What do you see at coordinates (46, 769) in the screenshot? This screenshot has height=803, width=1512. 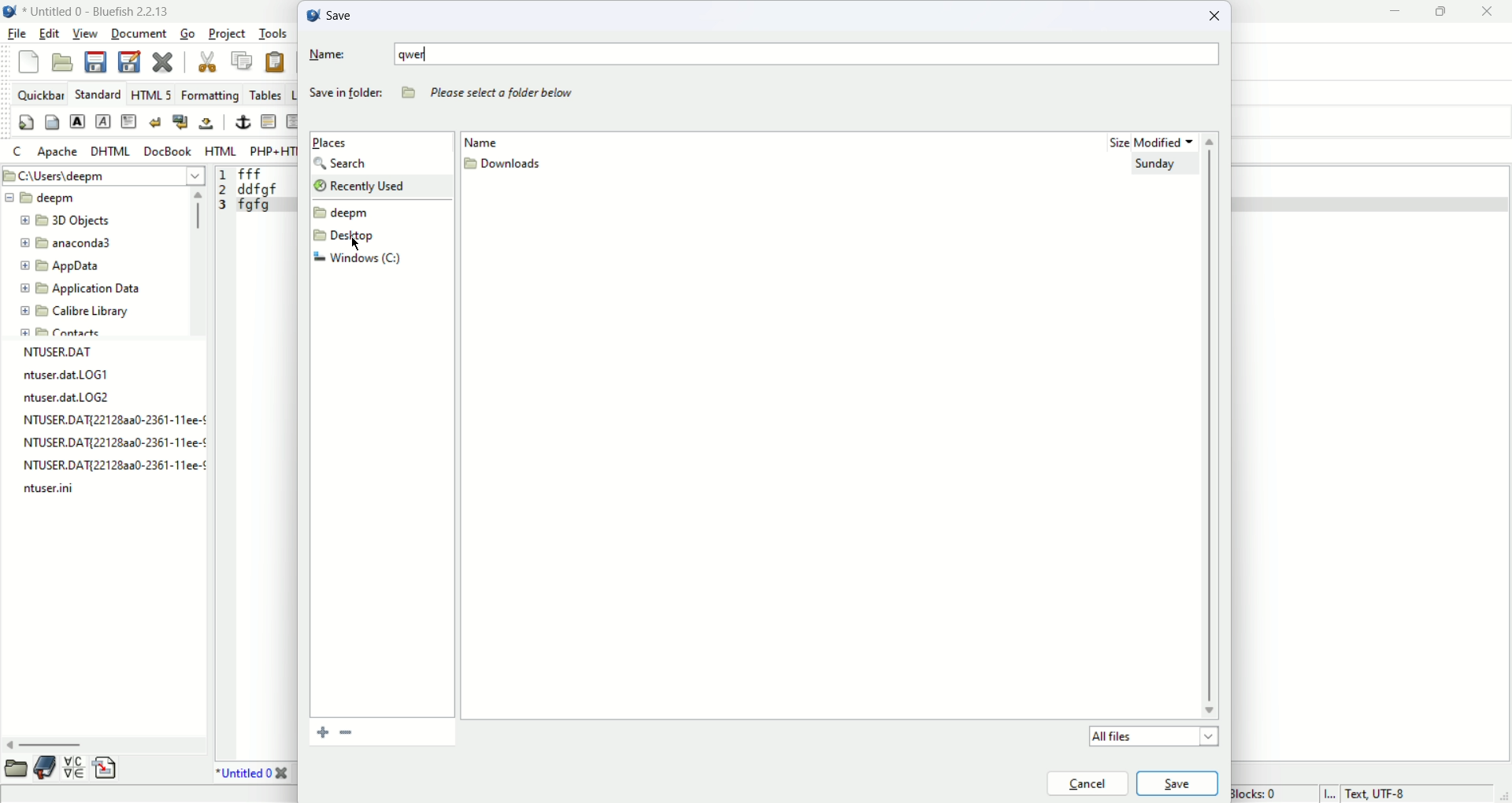 I see `bookmark` at bounding box center [46, 769].